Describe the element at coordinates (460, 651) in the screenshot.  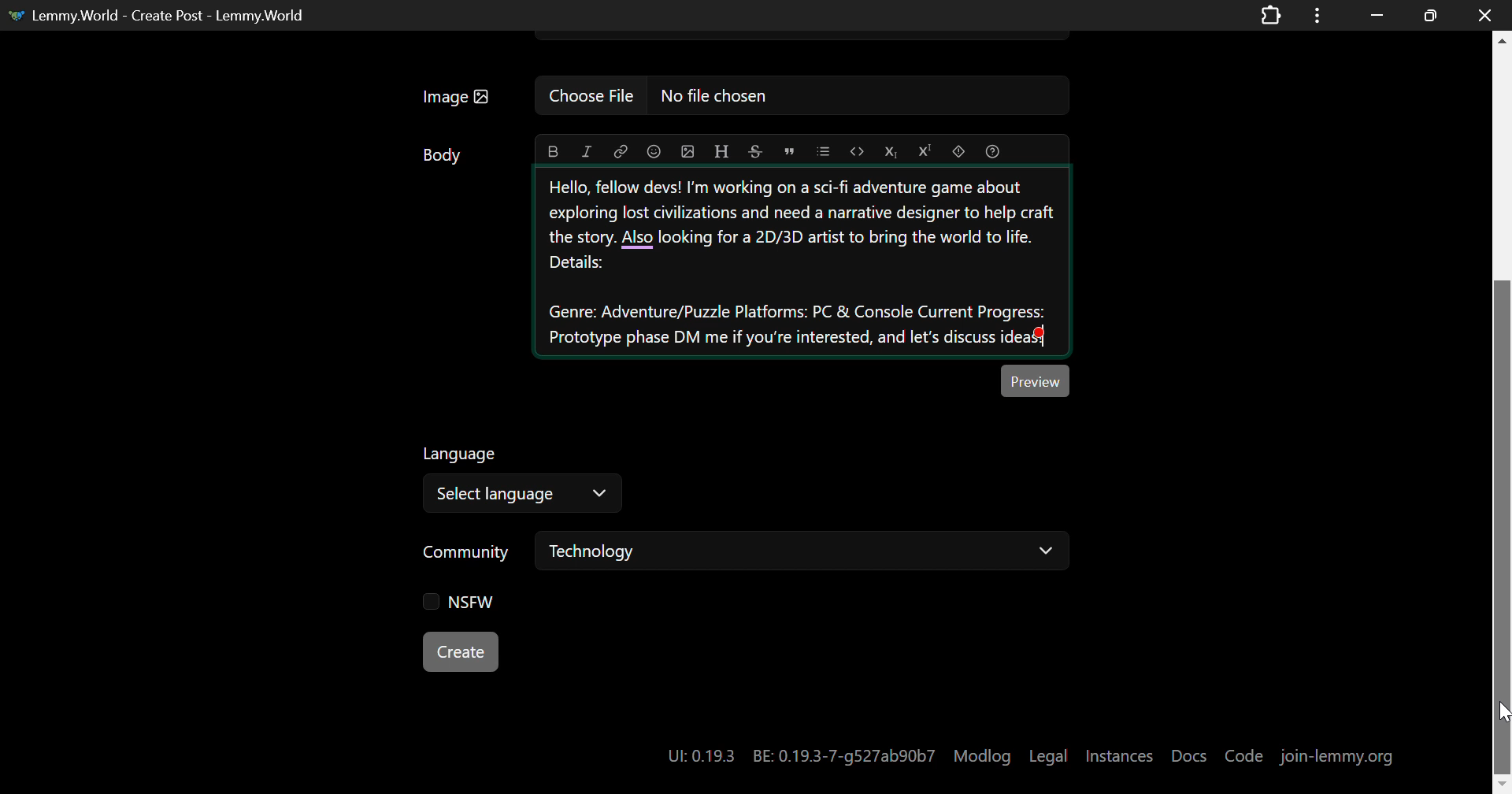
I see `Create` at that location.